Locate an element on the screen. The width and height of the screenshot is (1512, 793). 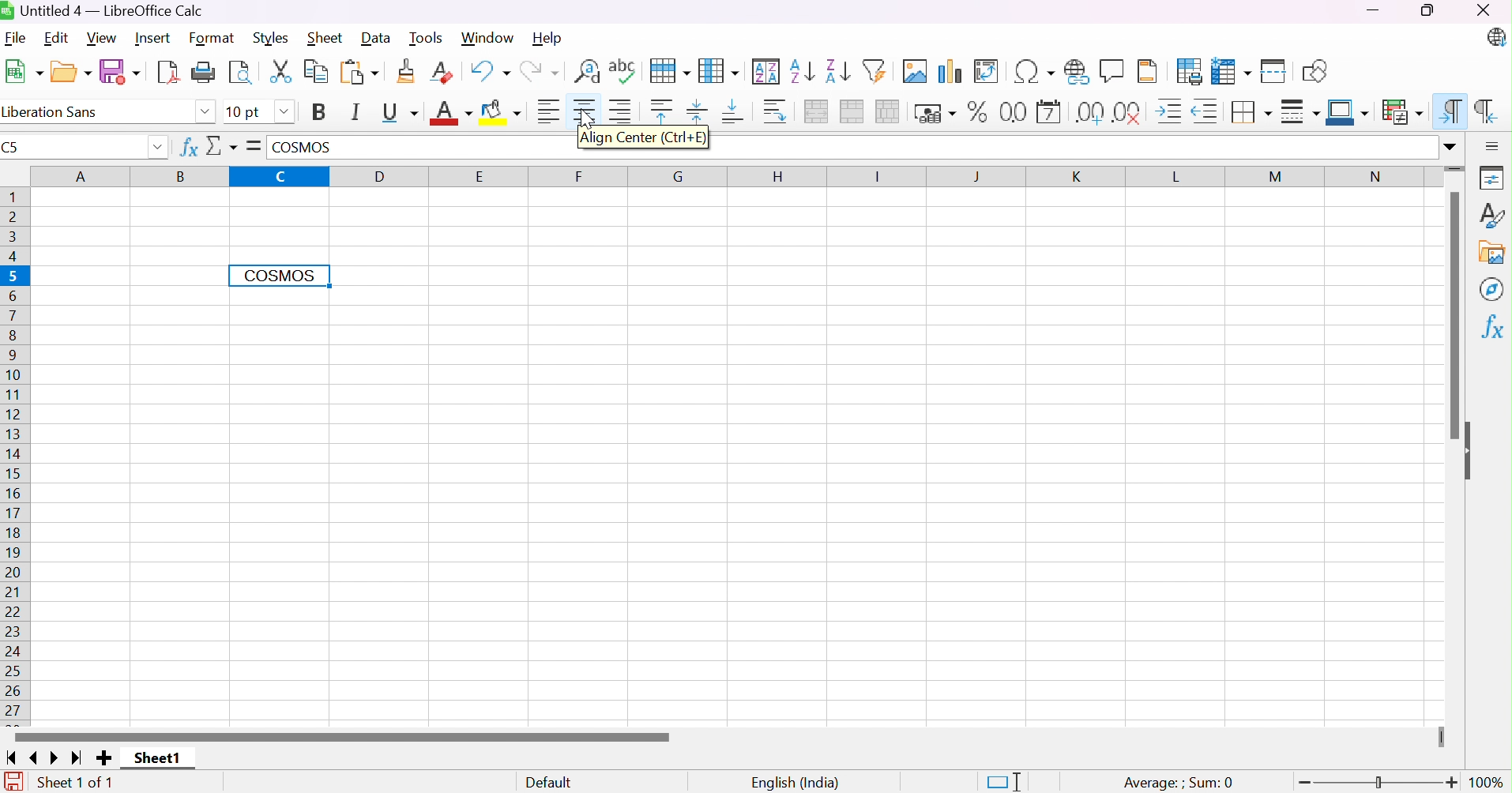
Scroll to Next Sheet is located at coordinates (55, 758).